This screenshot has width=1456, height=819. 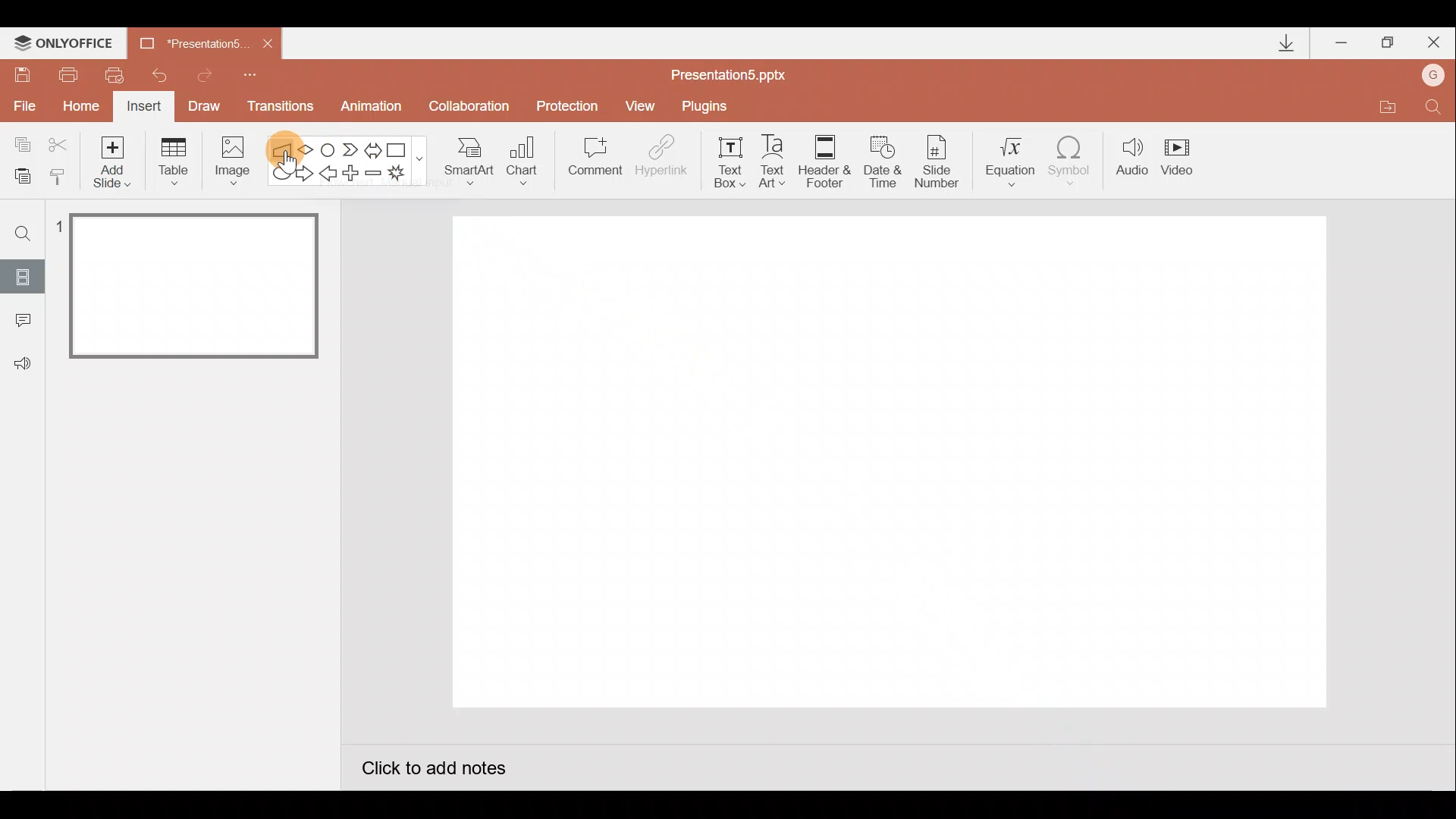 What do you see at coordinates (1075, 160) in the screenshot?
I see `Symbol` at bounding box center [1075, 160].